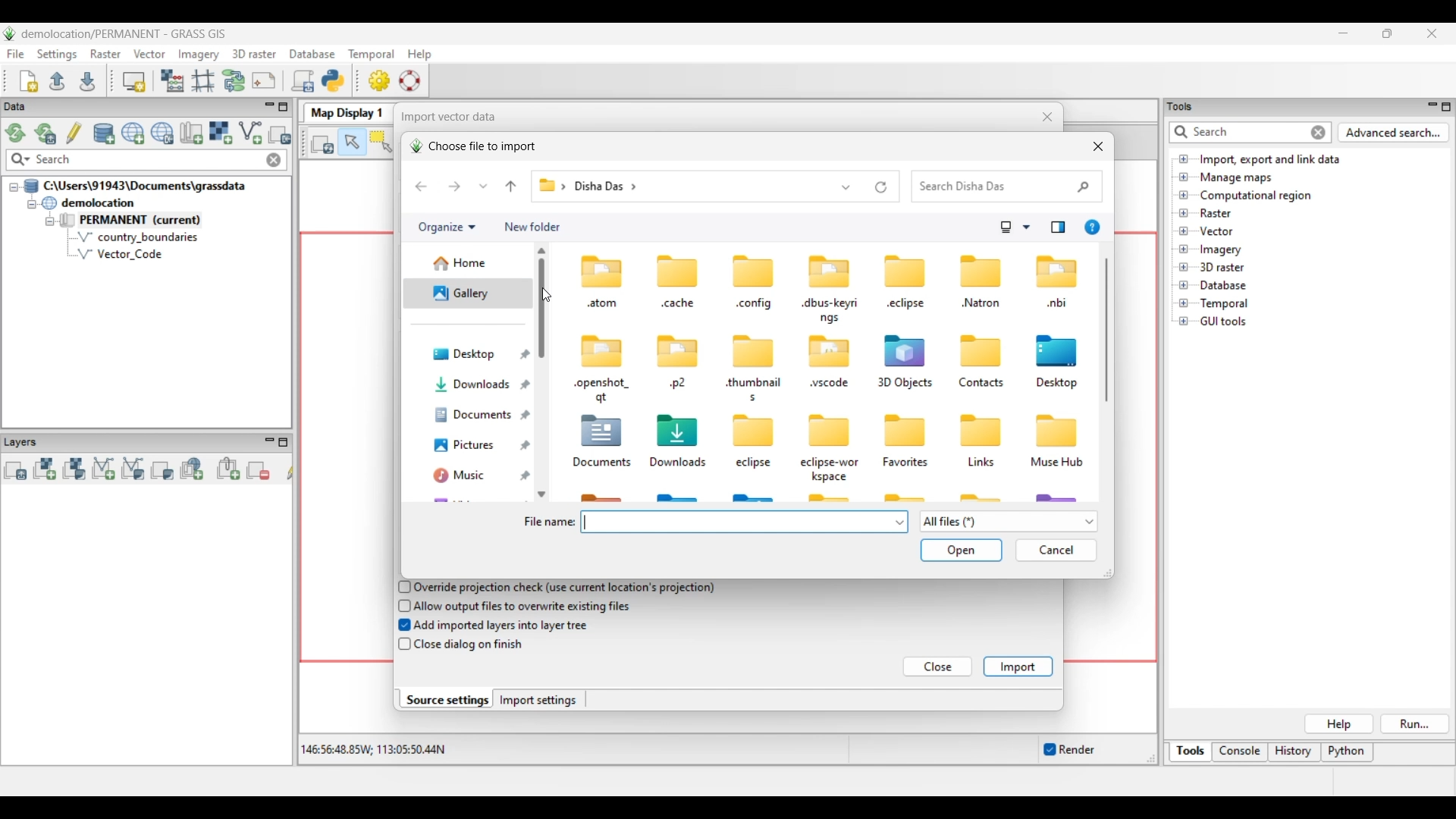 The width and height of the screenshot is (1456, 819). I want to click on Search specific maps, so click(19, 160).